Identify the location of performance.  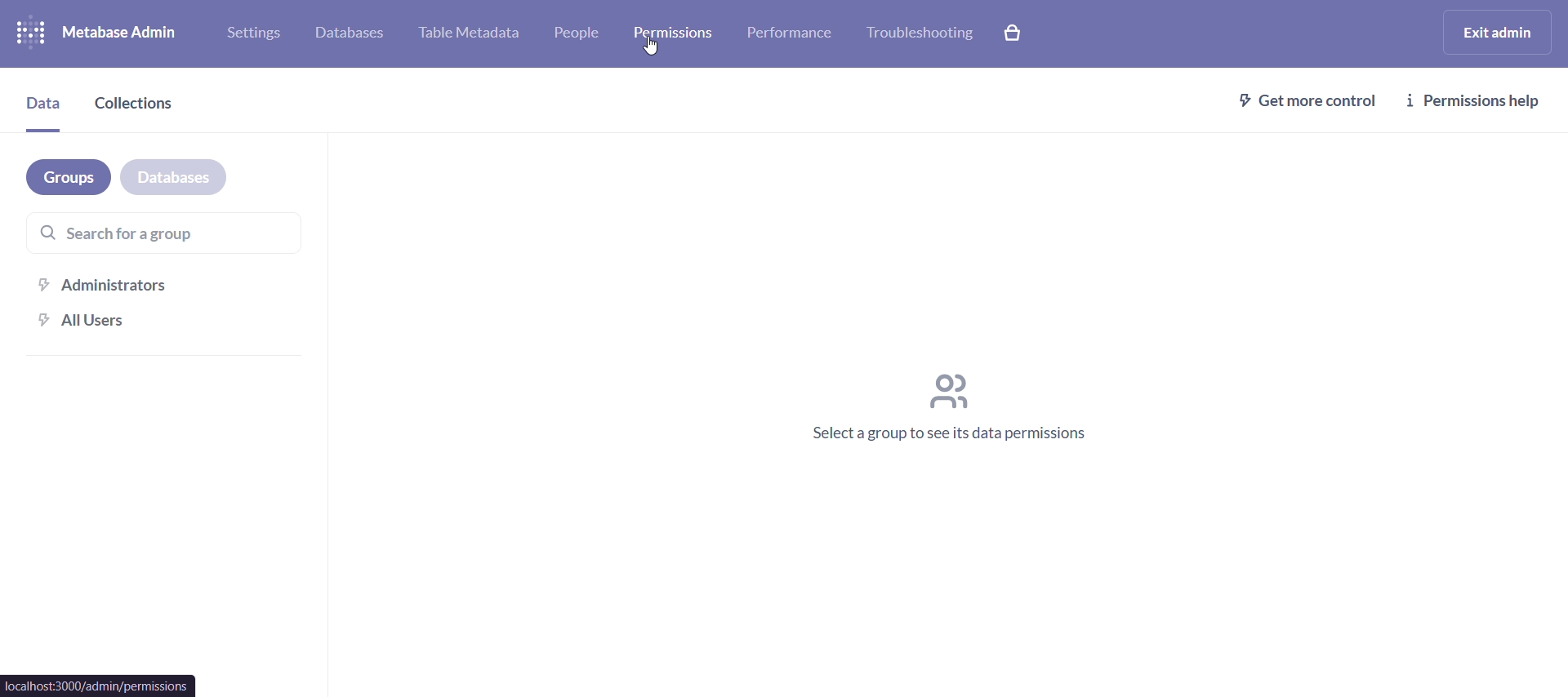
(795, 36).